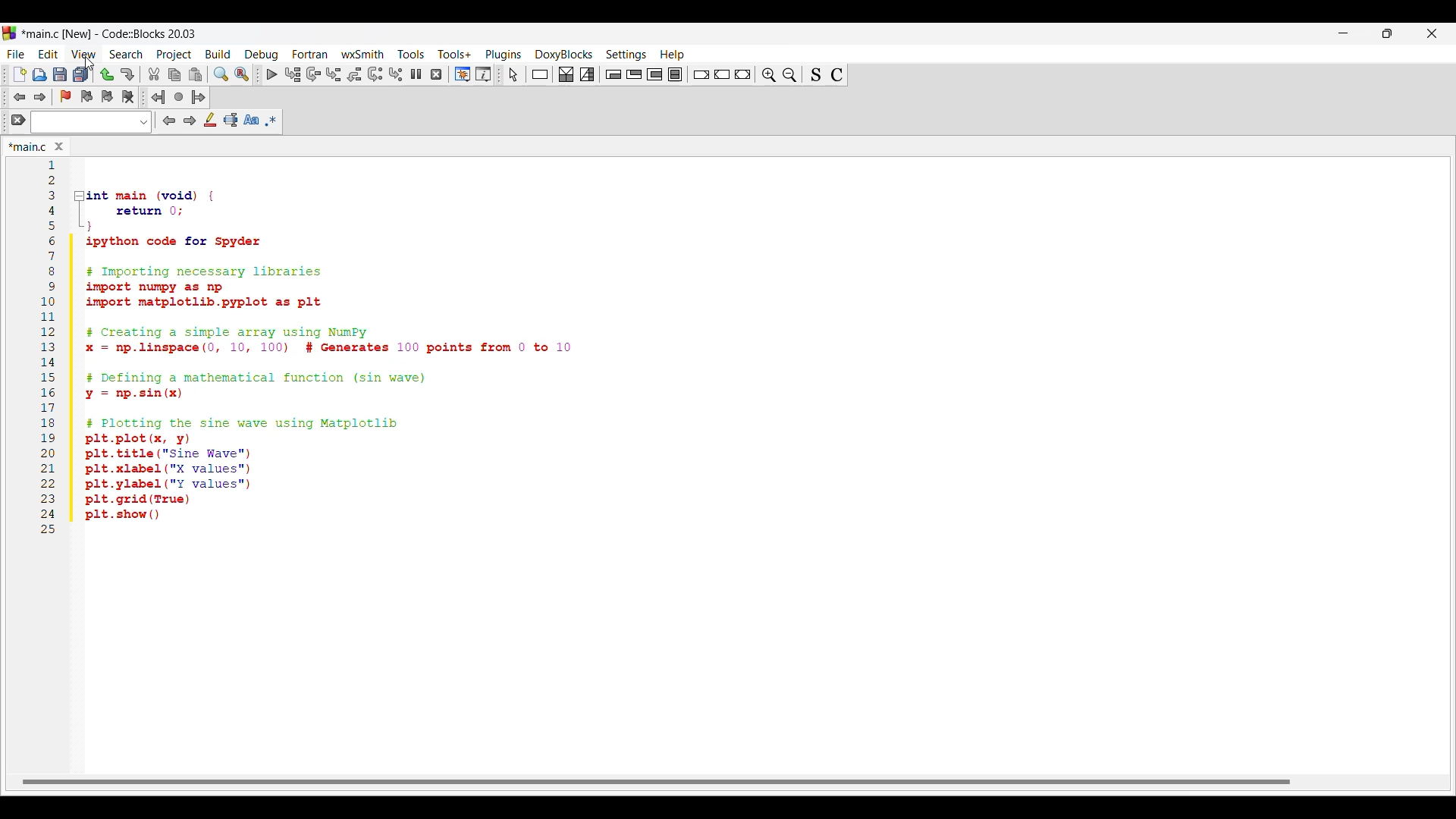 The width and height of the screenshot is (1456, 819). I want to click on Build menu, so click(218, 54).